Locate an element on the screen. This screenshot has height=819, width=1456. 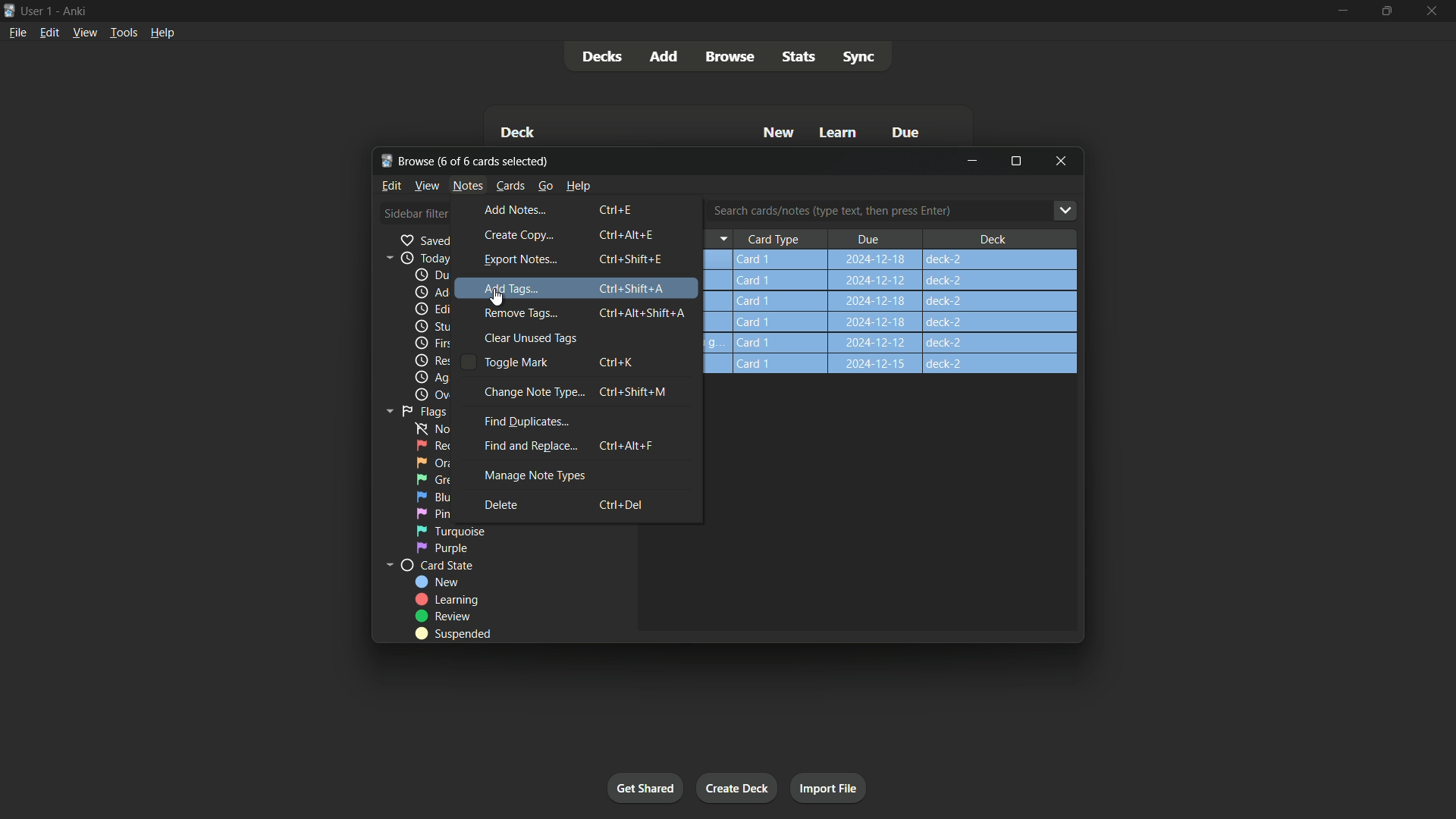
no flag is located at coordinates (440, 428).